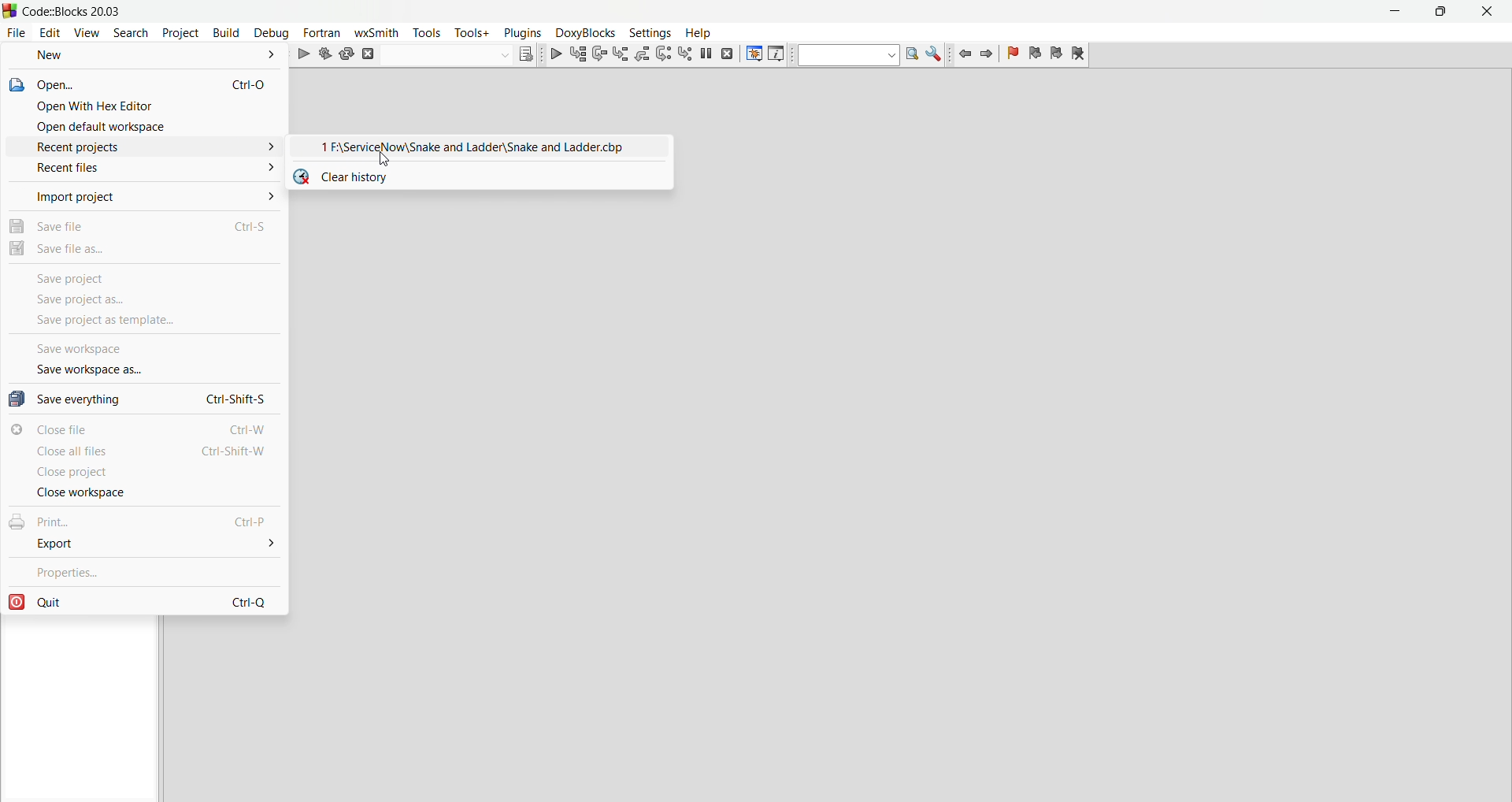 Image resolution: width=1512 pixels, height=802 pixels. Describe the element at coordinates (147, 300) in the screenshot. I see `save project as` at that location.